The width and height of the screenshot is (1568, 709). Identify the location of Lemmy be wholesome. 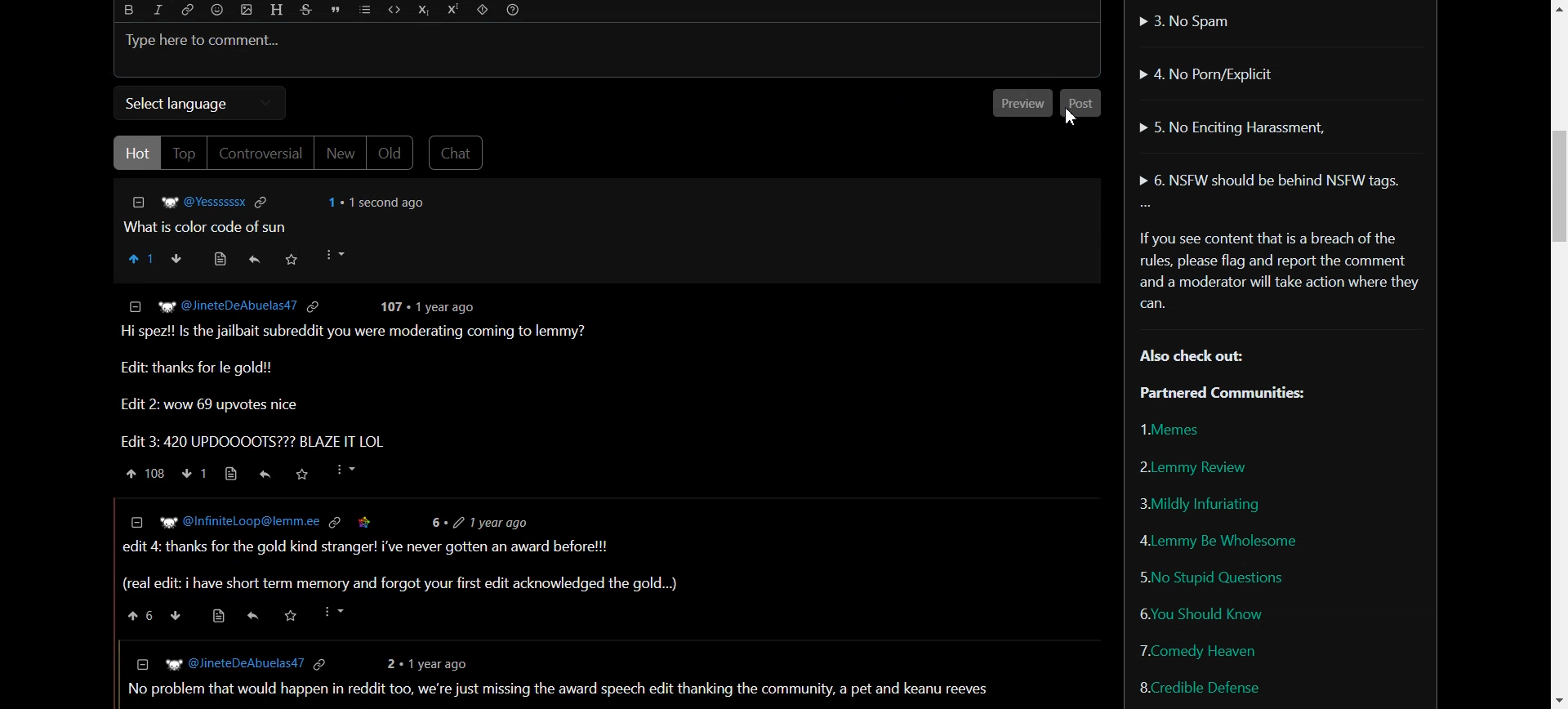
(1223, 541).